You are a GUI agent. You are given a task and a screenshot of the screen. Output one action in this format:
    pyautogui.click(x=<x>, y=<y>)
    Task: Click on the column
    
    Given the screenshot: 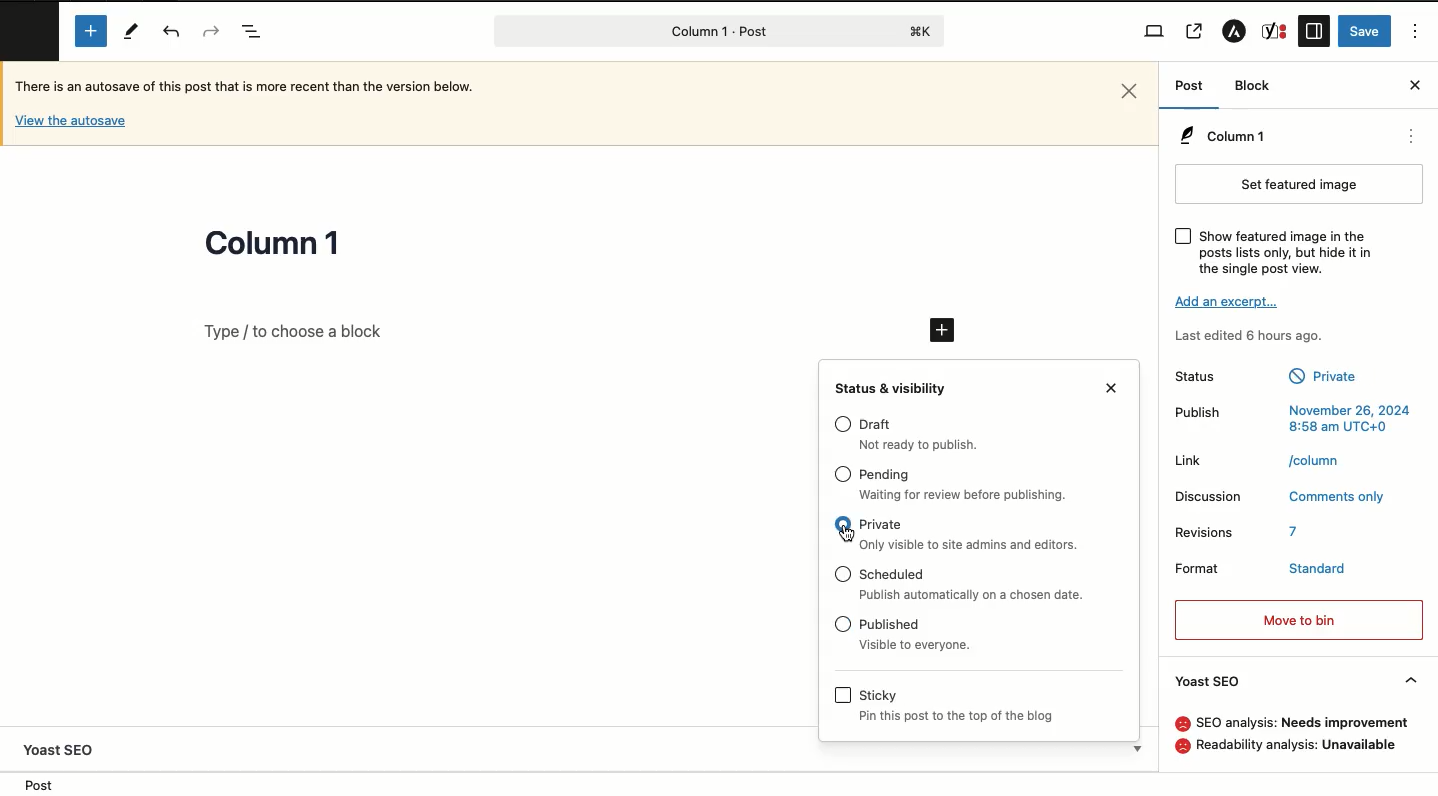 What is the action you would take?
    pyautogui.click(x=1317, y=459)
    